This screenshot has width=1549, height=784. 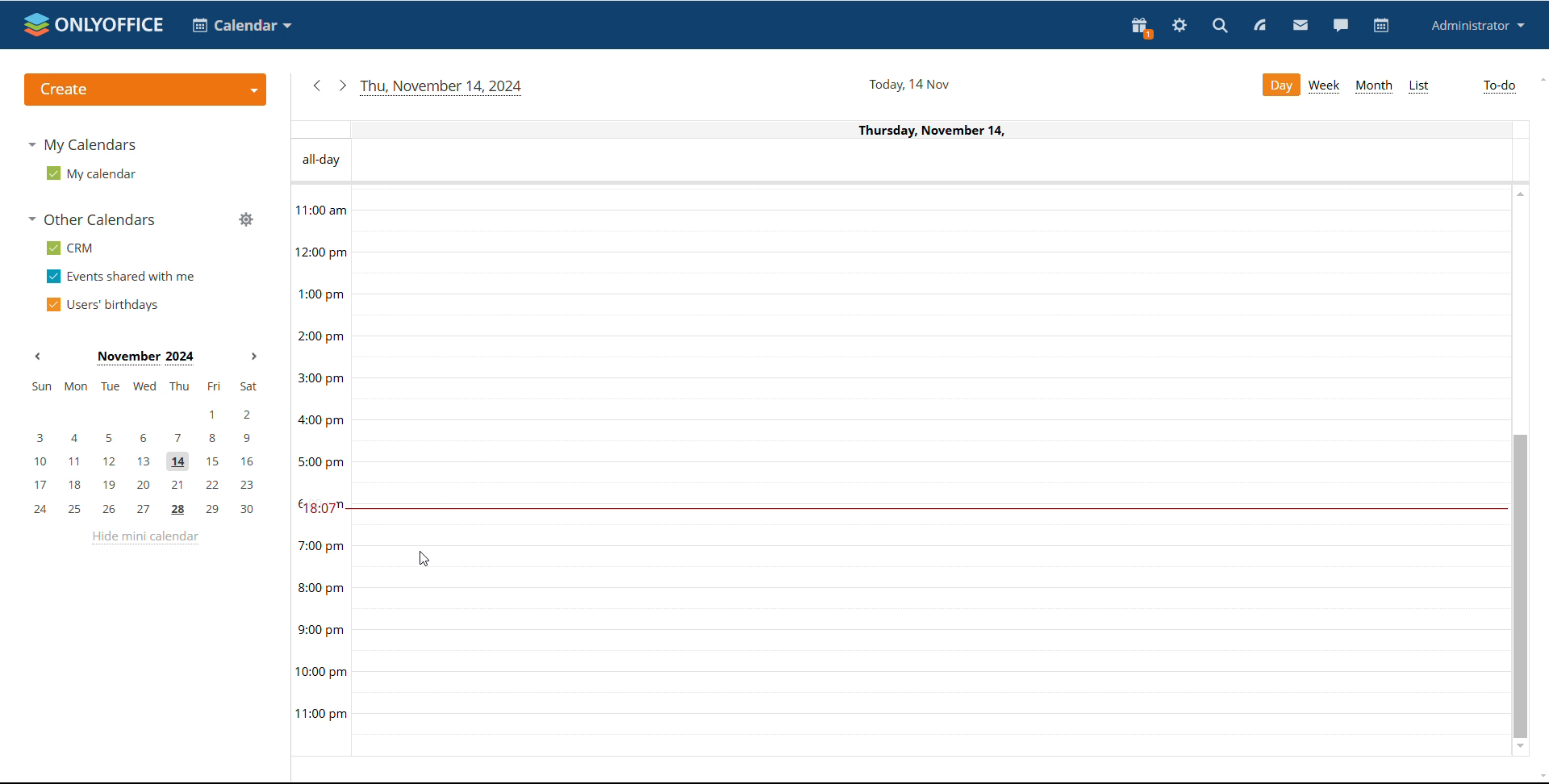 What do you see at coordinates (1500, 87) in the screenshot?
I see `to-do` at bounding box center [1500, 87].